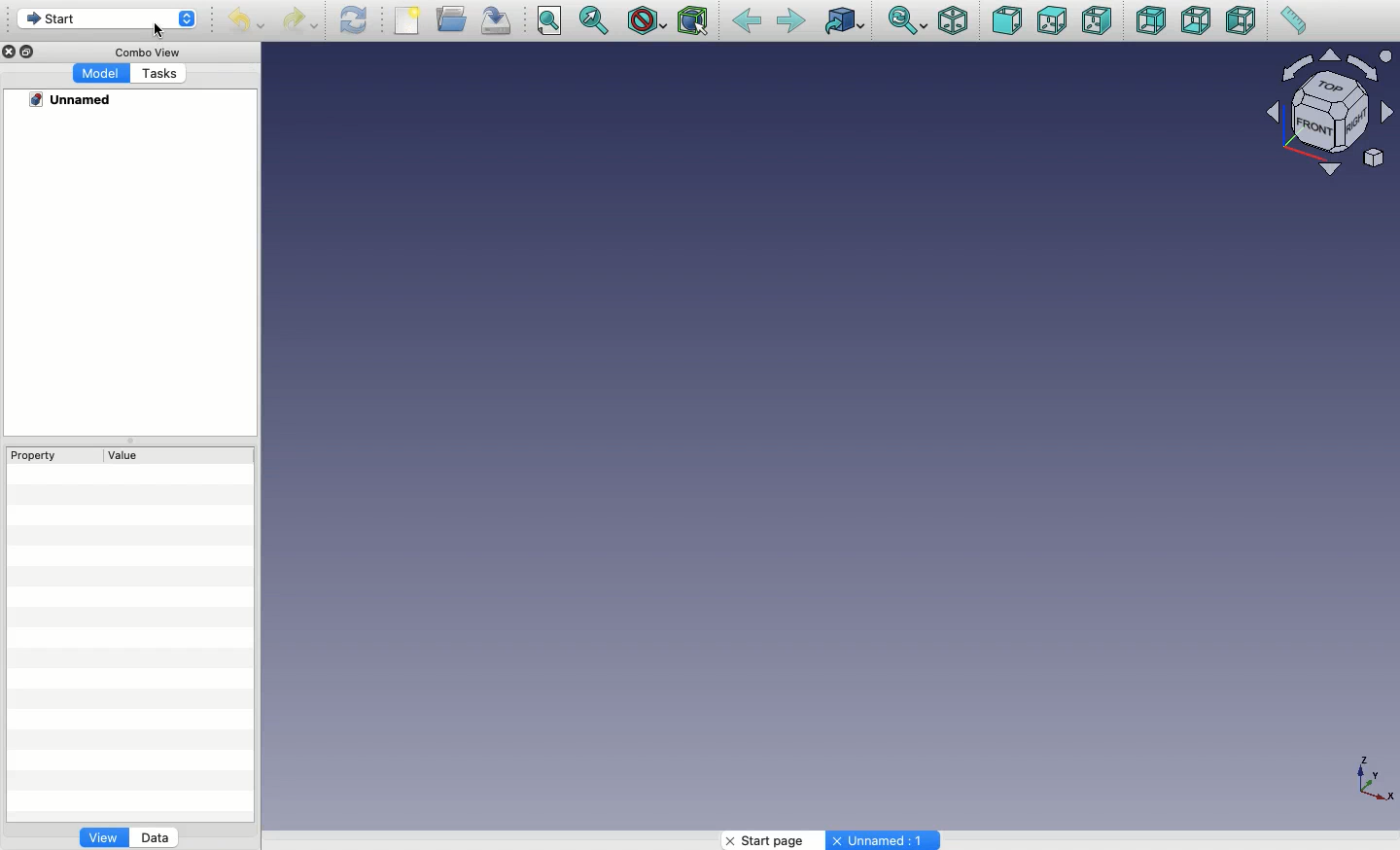  Describe the element at coordinates (844, 20) in the screenshot. I see `Go to linked object` at that location.